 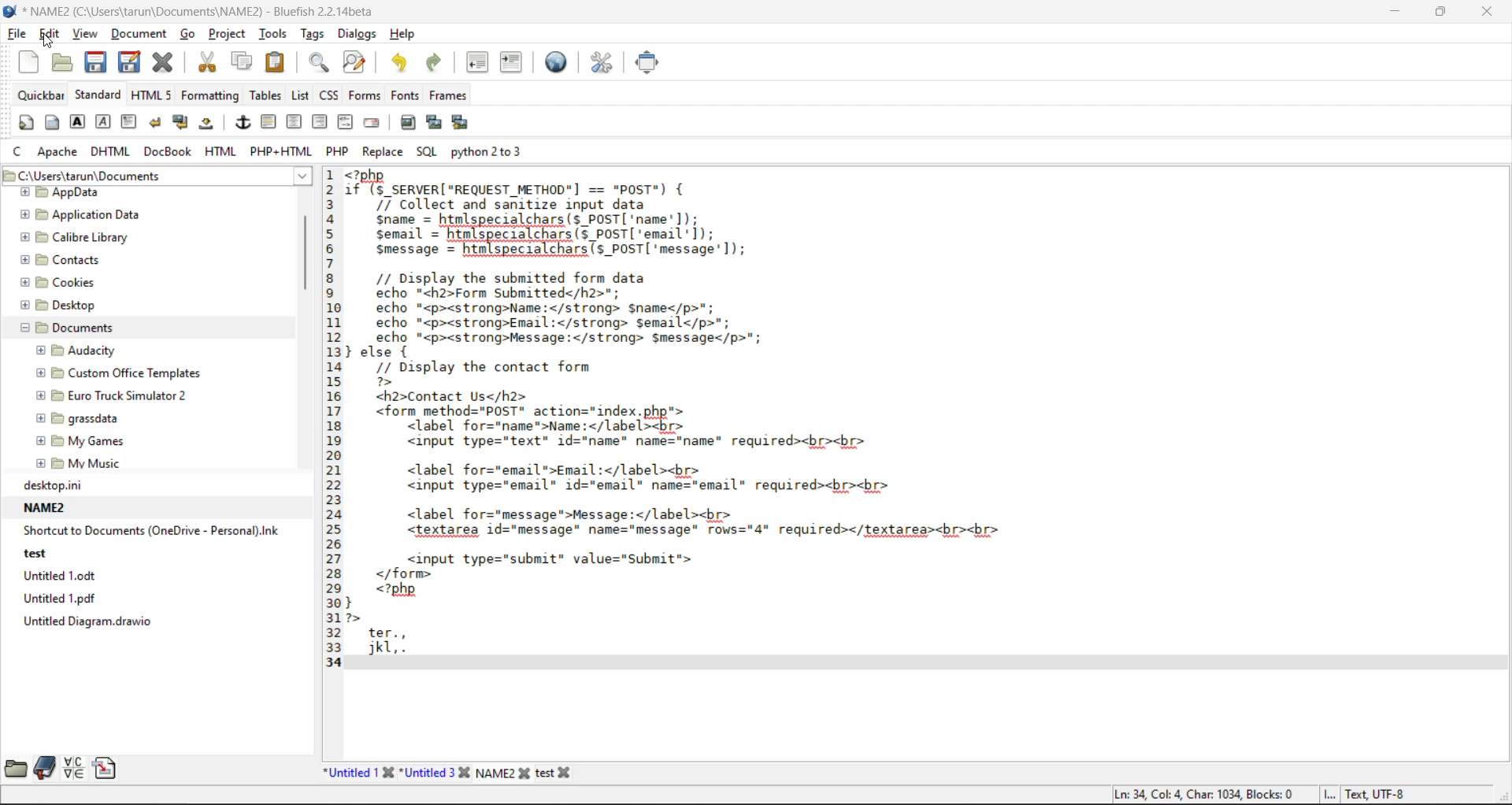 What do you see at coordinates (72, 326) in the screenshot?
I see `Documents` at bounding box center [72, 326].